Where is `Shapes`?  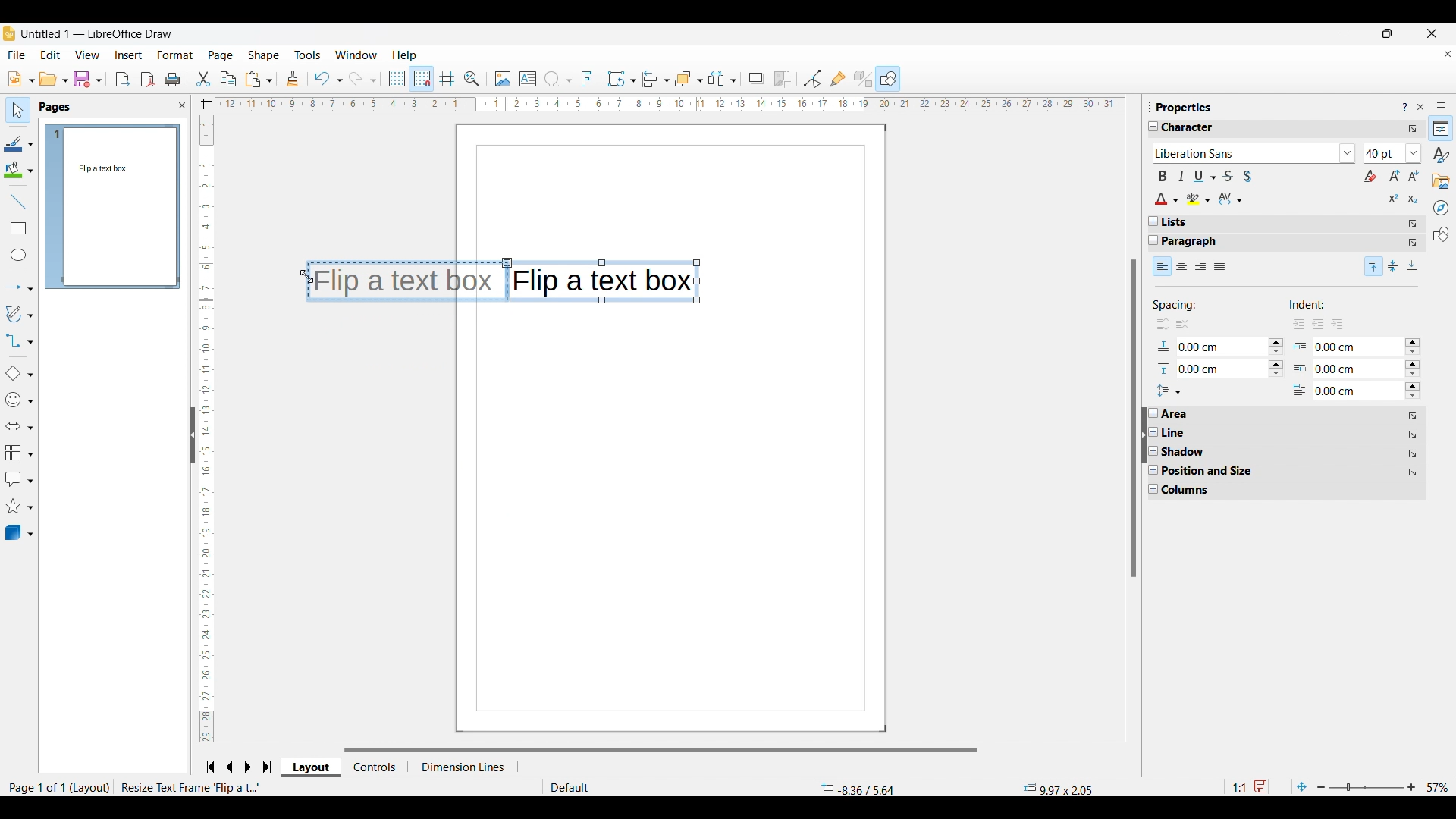
Shapes is located at coordinates (1442, 234).